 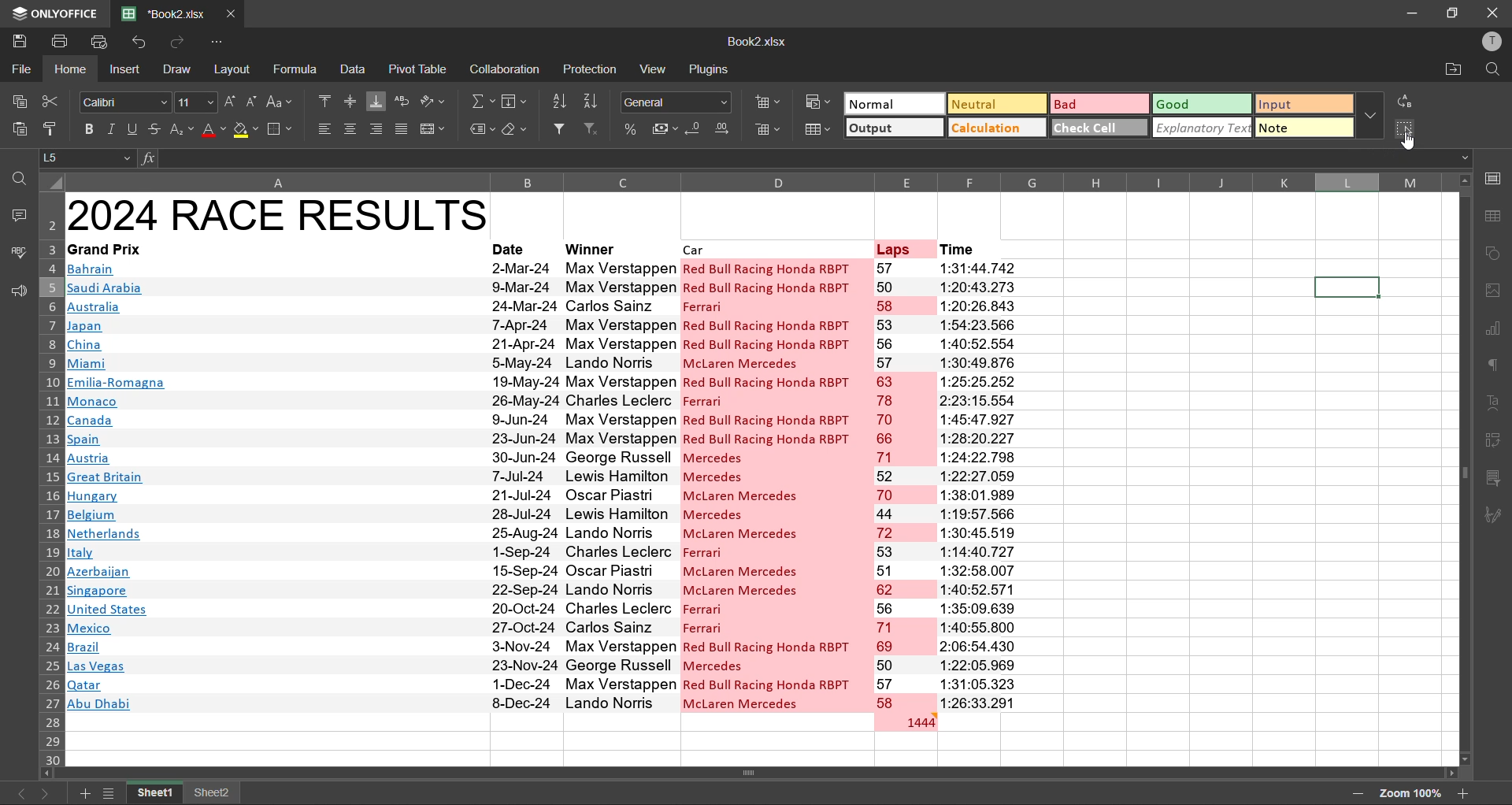 I want to click on draw, so click(x=176, y=69).